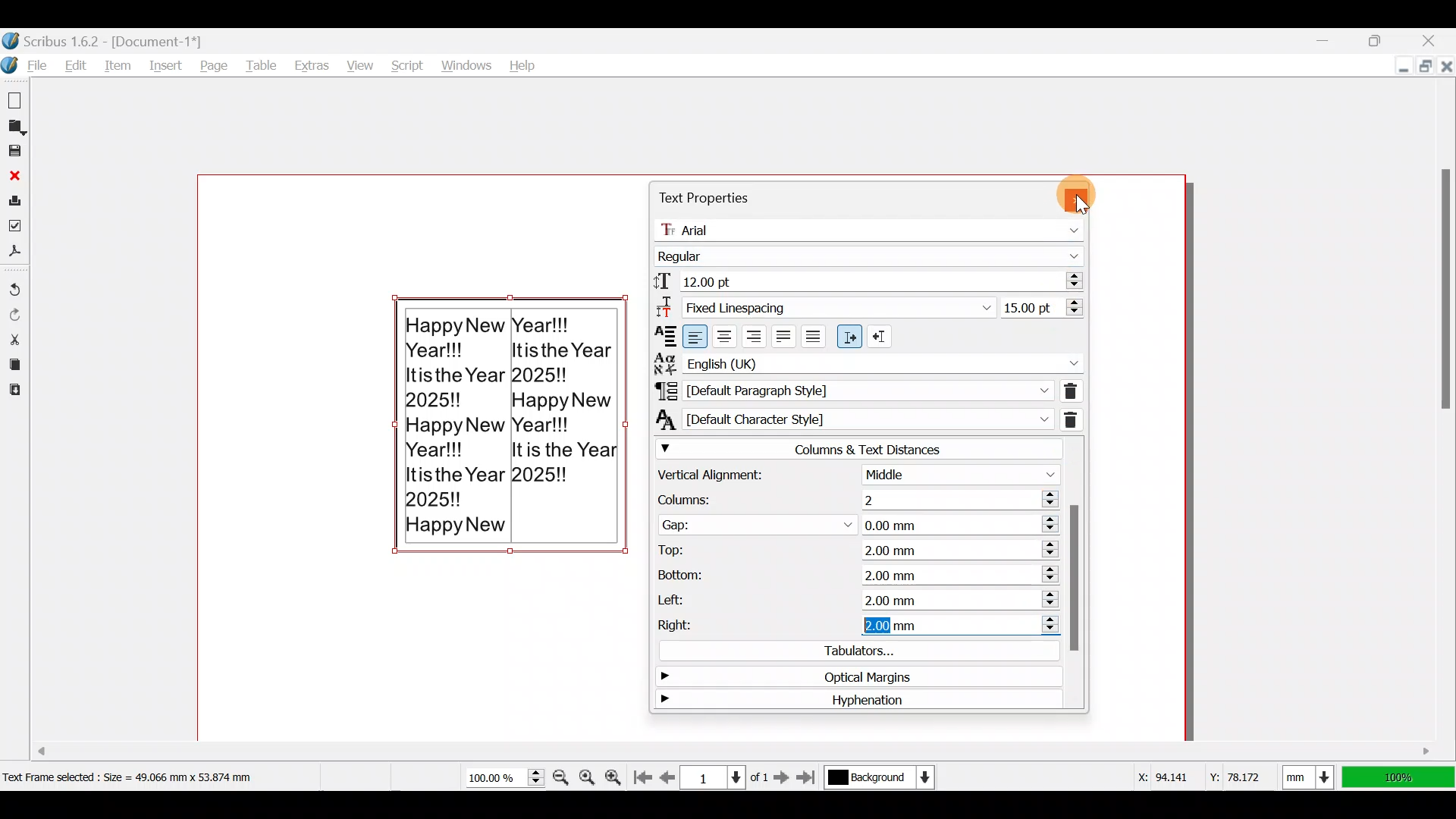  I want to click on Paragraph style of currently selected text/paragraph, so click(850, 390).